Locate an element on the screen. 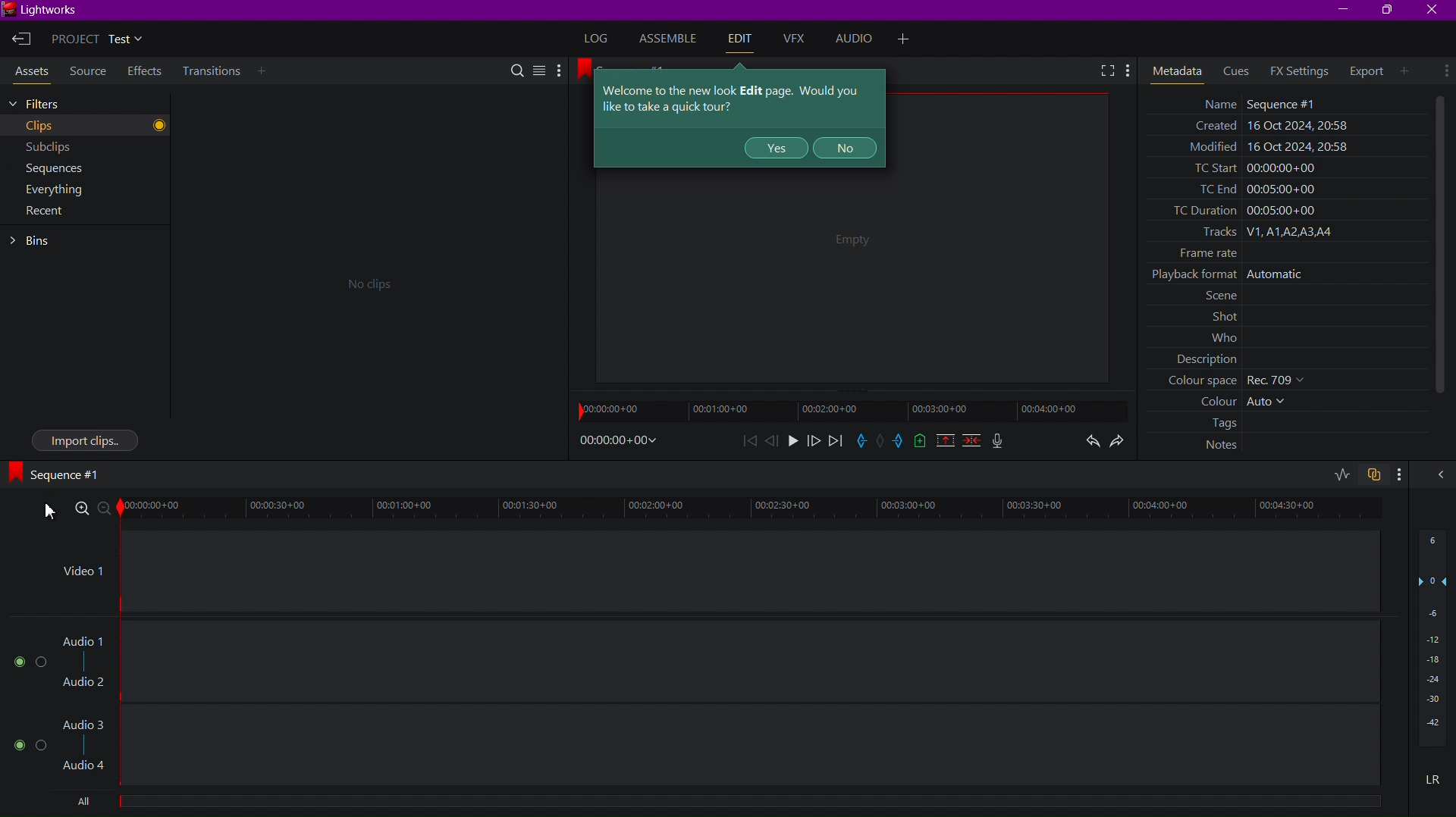 The width and height of the screenshot is (1456, 817). Audio 2 is located at coordinates (86, 684).